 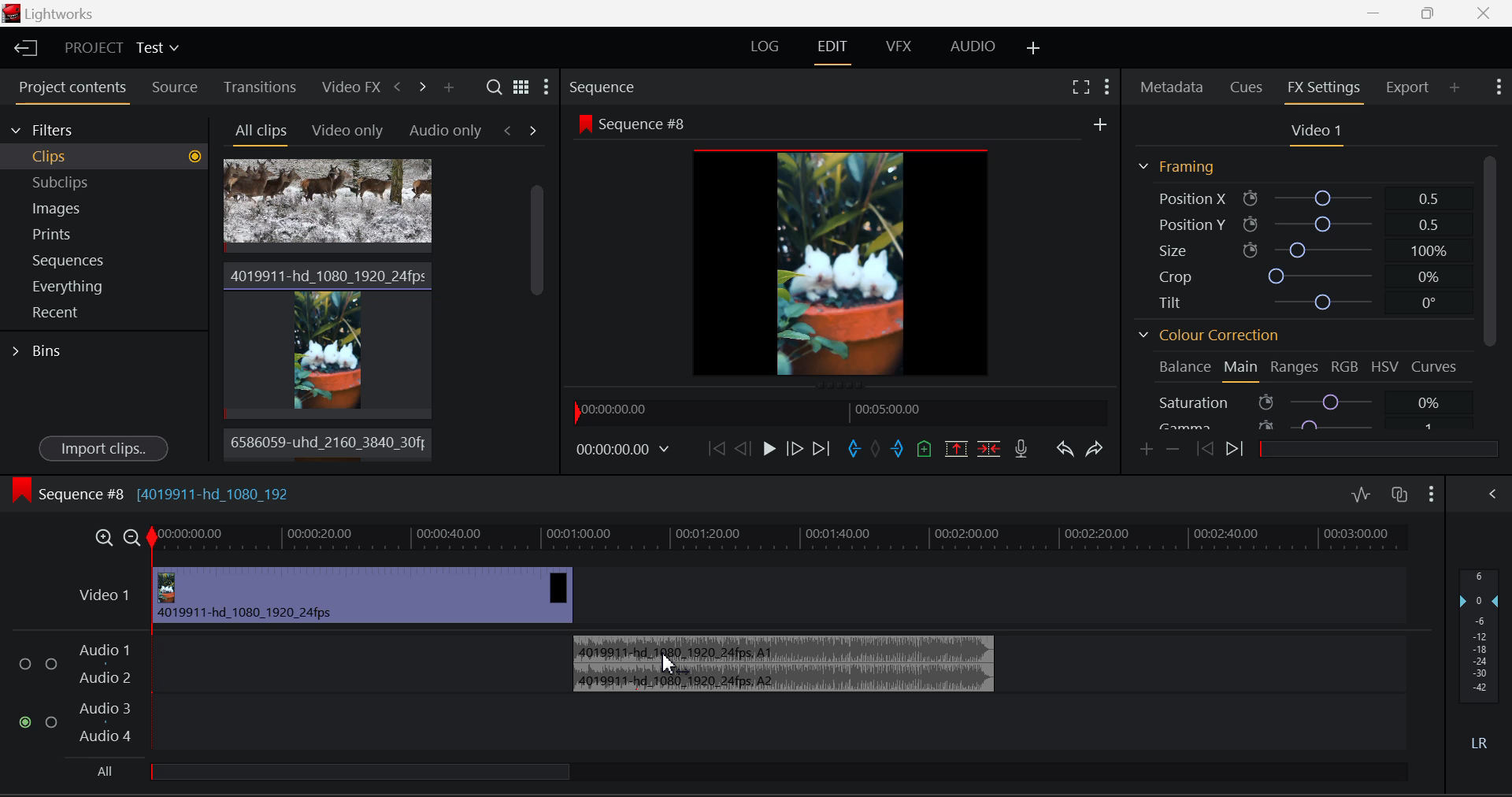 What do you see at coordinates (897, 46) in the screenshot?
I see `VFX Layout` at bounding box center [897, 46].